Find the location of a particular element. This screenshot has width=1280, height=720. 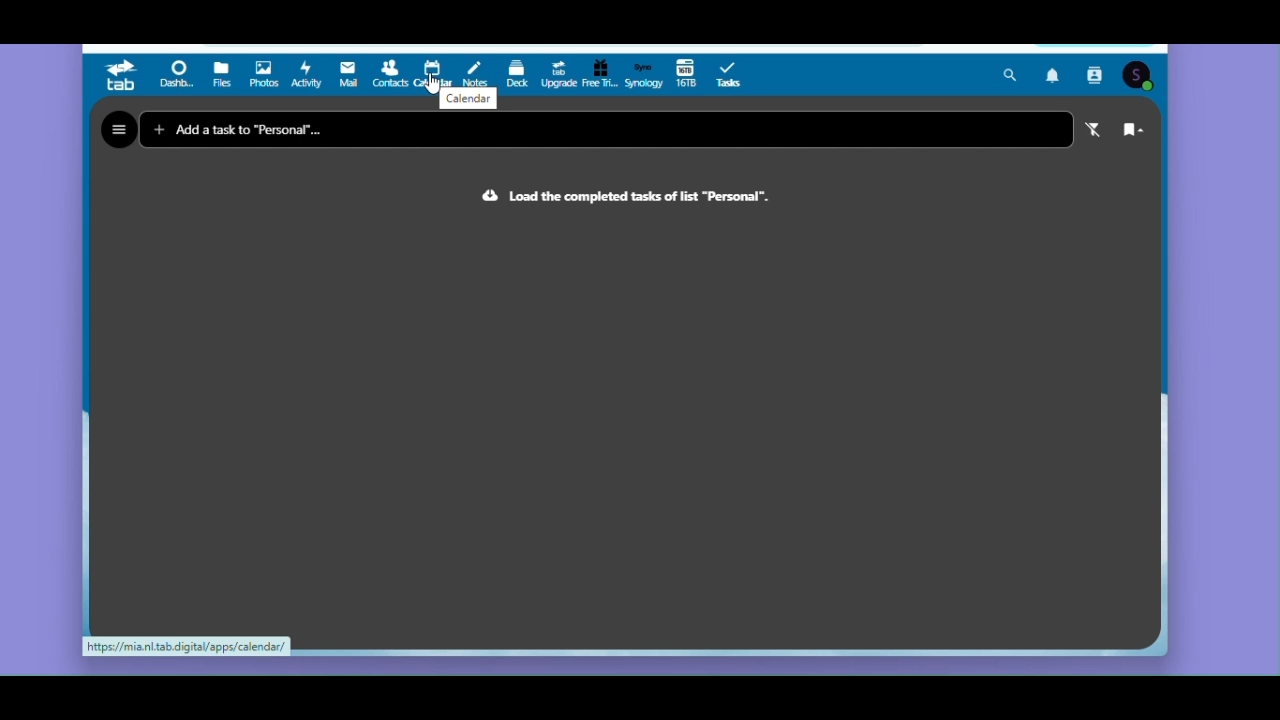

Add a task to "Personal"... is located at coordinates (279, 128).